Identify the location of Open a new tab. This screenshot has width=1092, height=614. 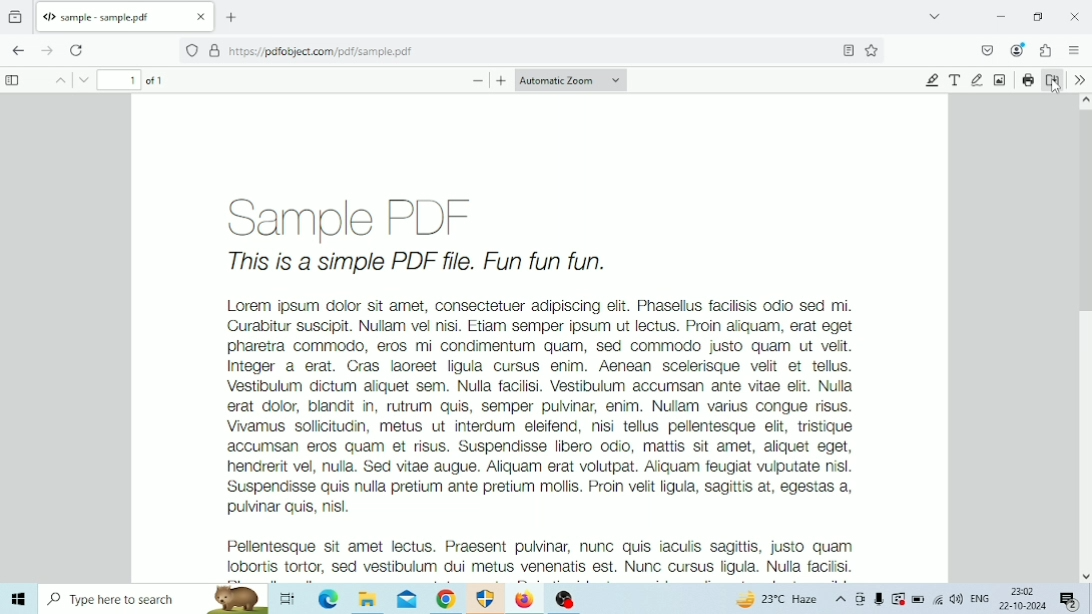
(231, 17).